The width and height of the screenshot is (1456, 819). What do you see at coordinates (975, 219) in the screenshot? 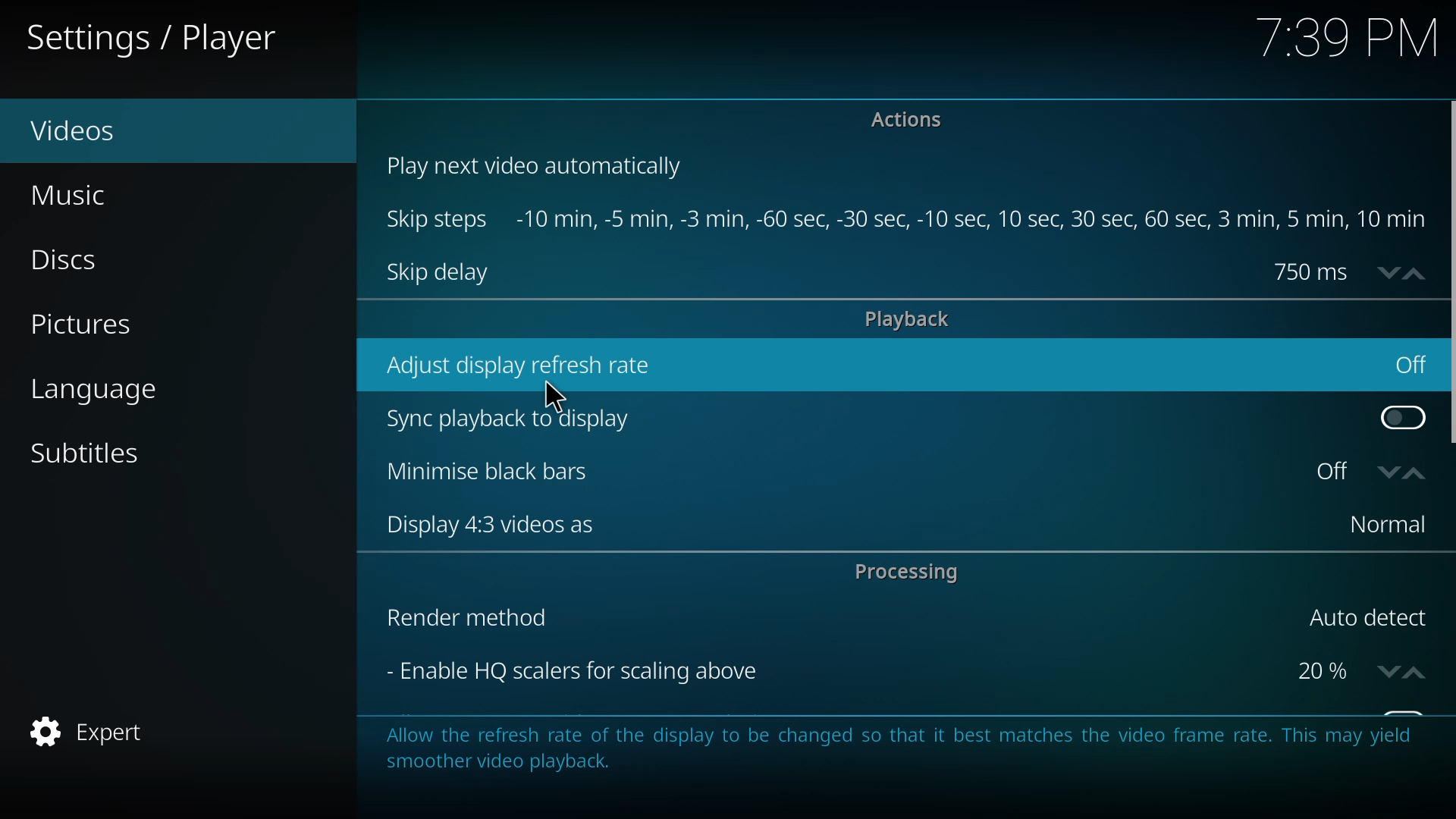
I see `time` at bounding box center [975, 219].